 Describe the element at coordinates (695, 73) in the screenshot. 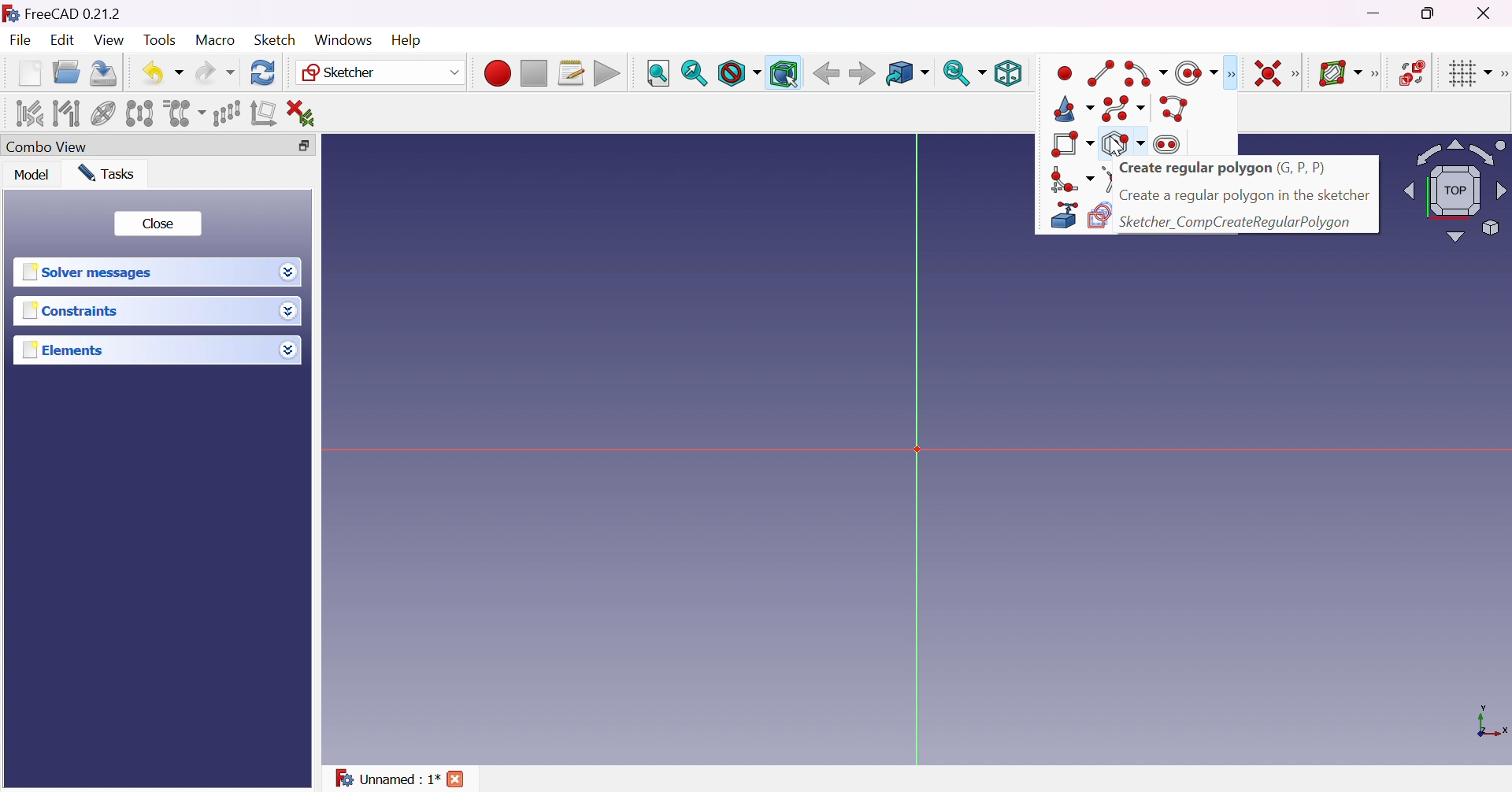

I see `Fit selection` at that location.